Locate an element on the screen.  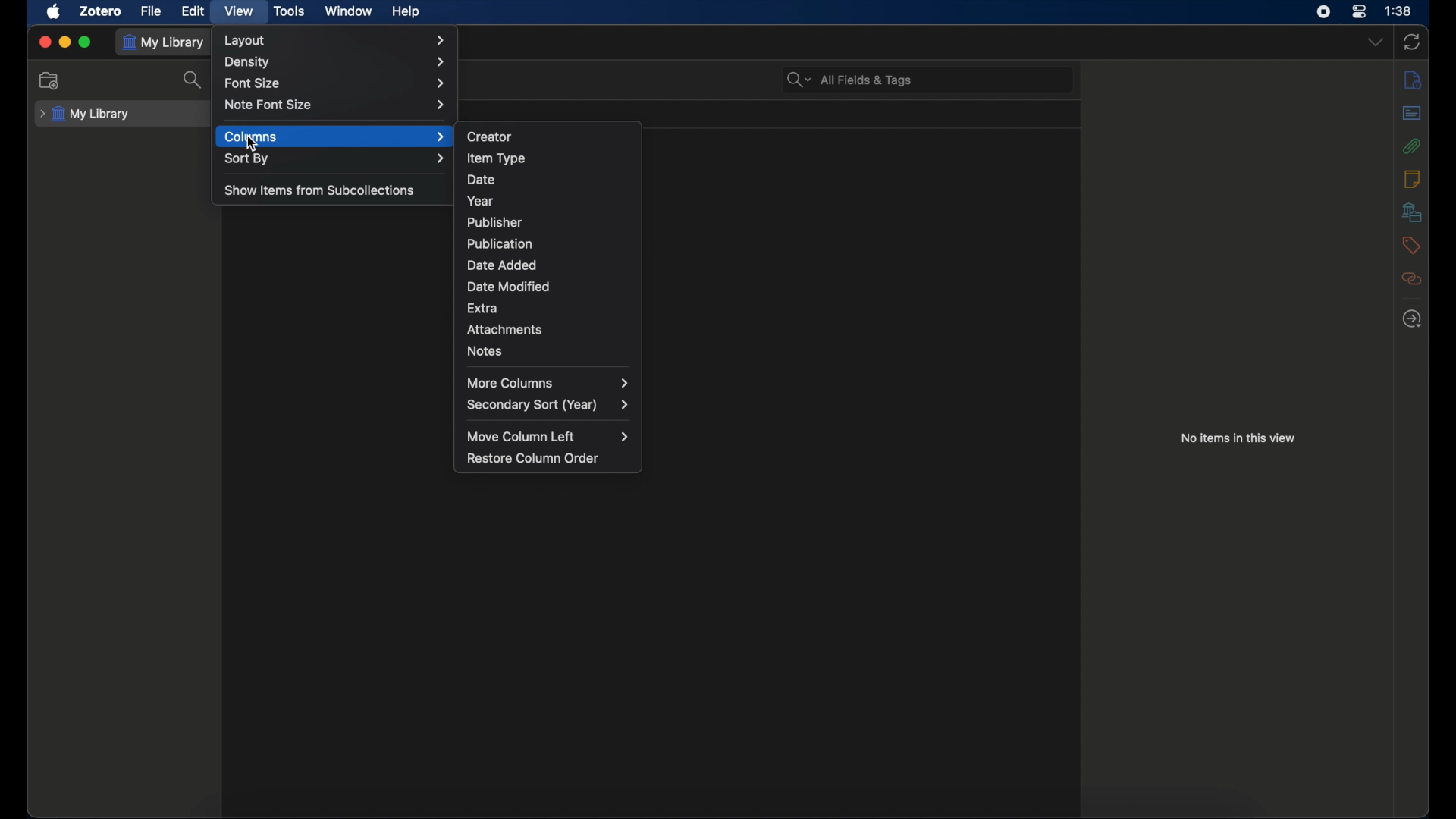
window is located at coordinates (349, 11).